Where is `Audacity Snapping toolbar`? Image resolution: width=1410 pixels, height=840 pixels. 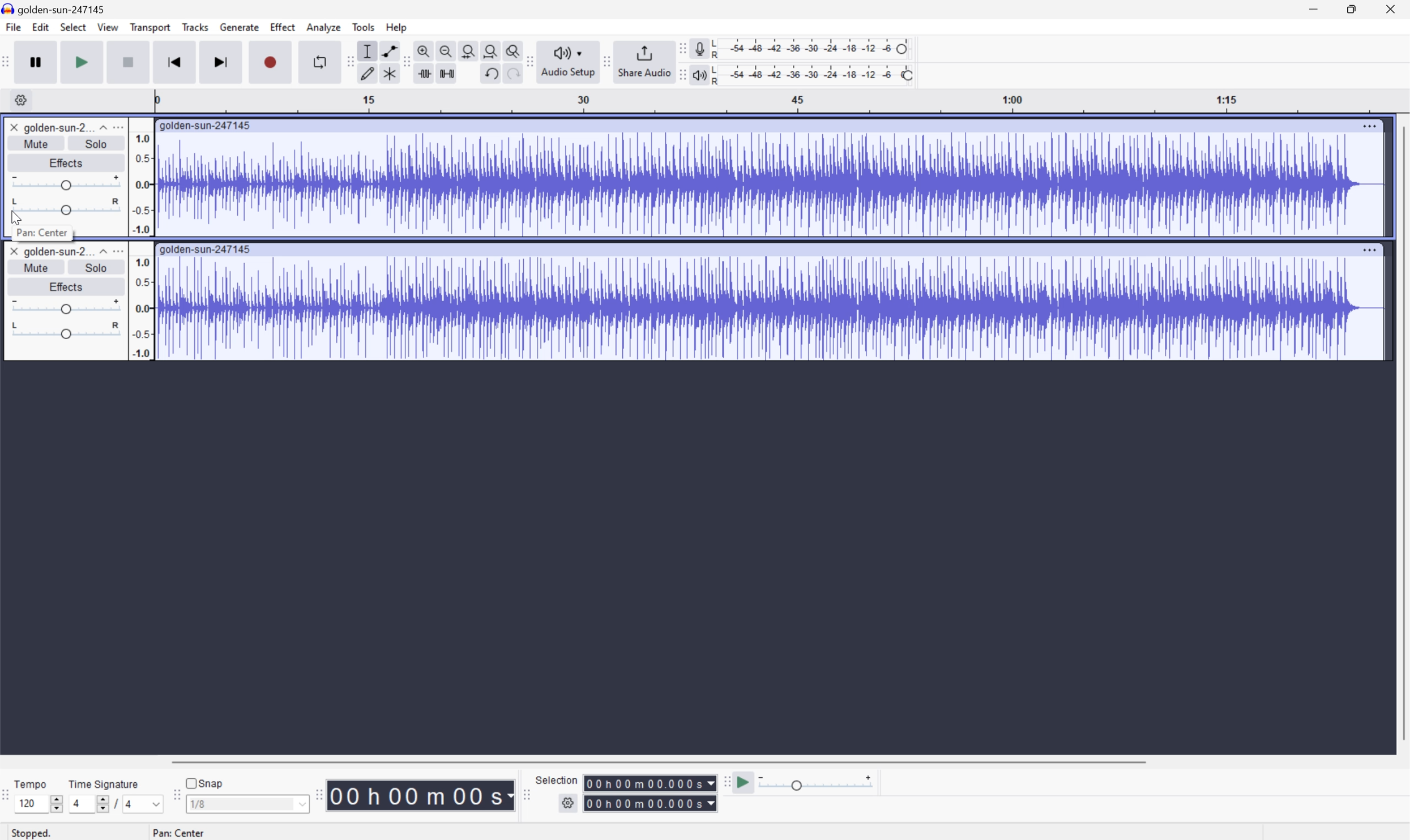
Audacity Snapping toolbar is located at coordinates (179, 793).